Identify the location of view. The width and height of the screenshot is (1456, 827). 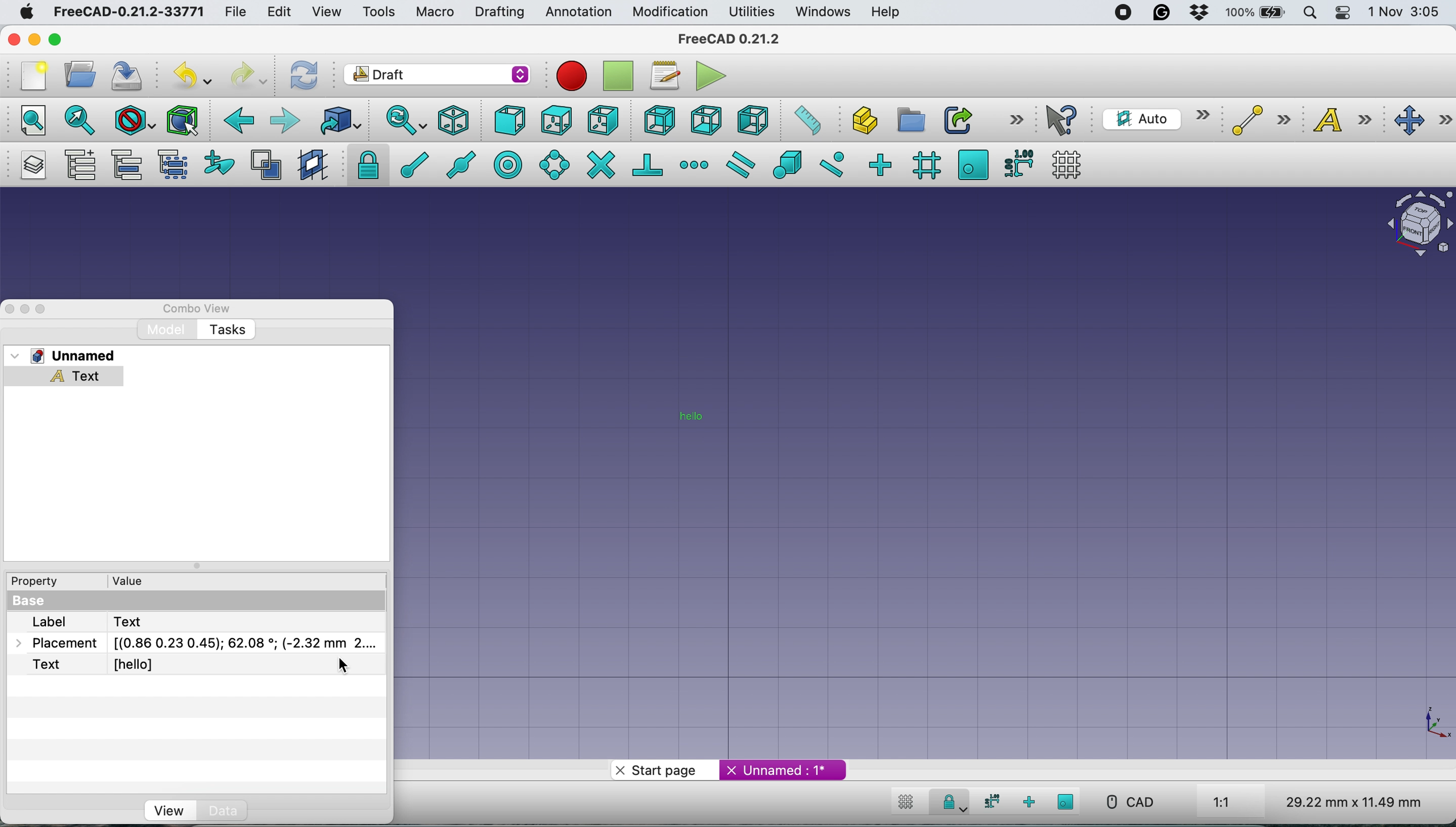
(326, 11).